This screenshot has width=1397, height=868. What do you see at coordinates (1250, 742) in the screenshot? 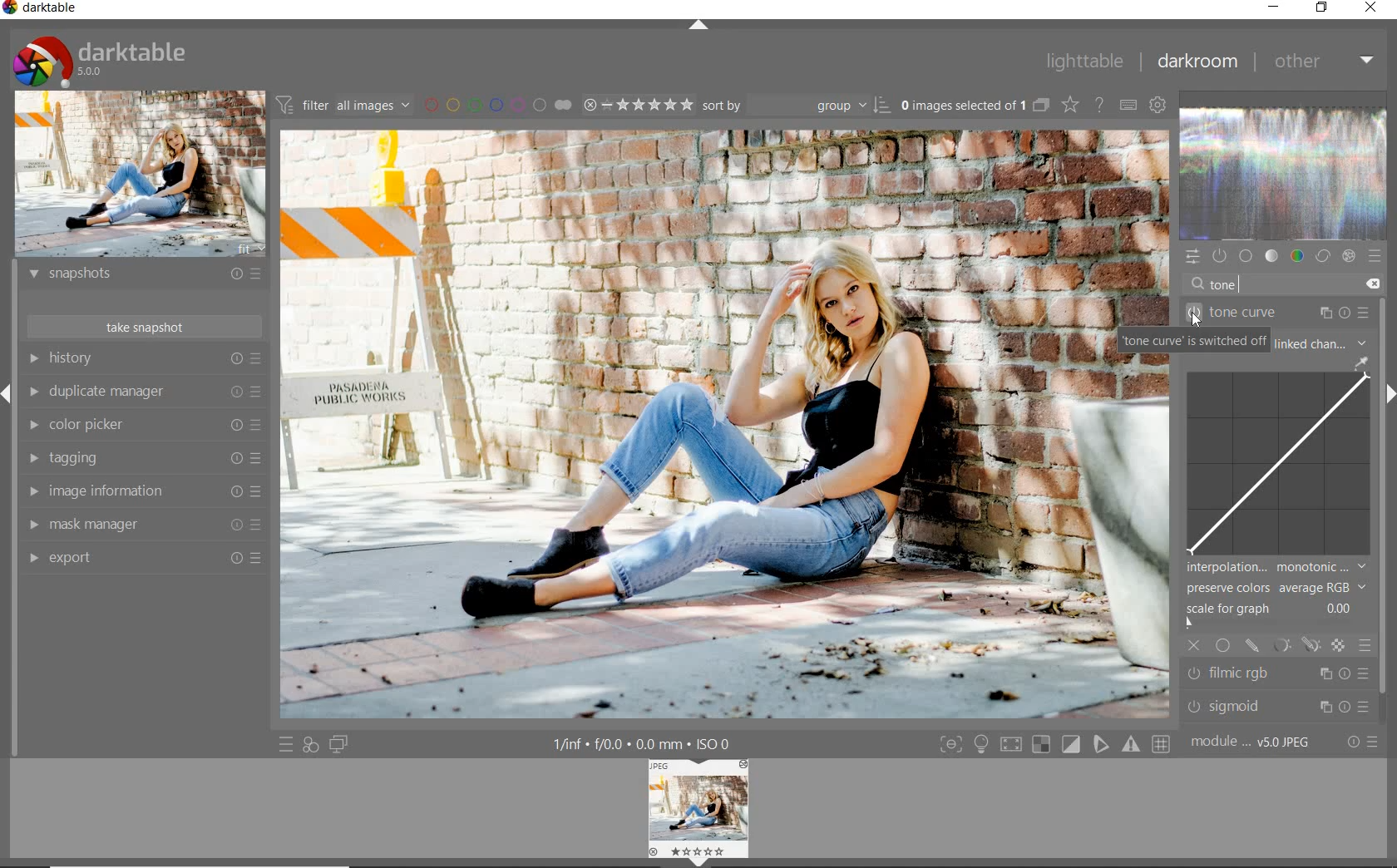
I see `module` at bounding box center [1250, 742].